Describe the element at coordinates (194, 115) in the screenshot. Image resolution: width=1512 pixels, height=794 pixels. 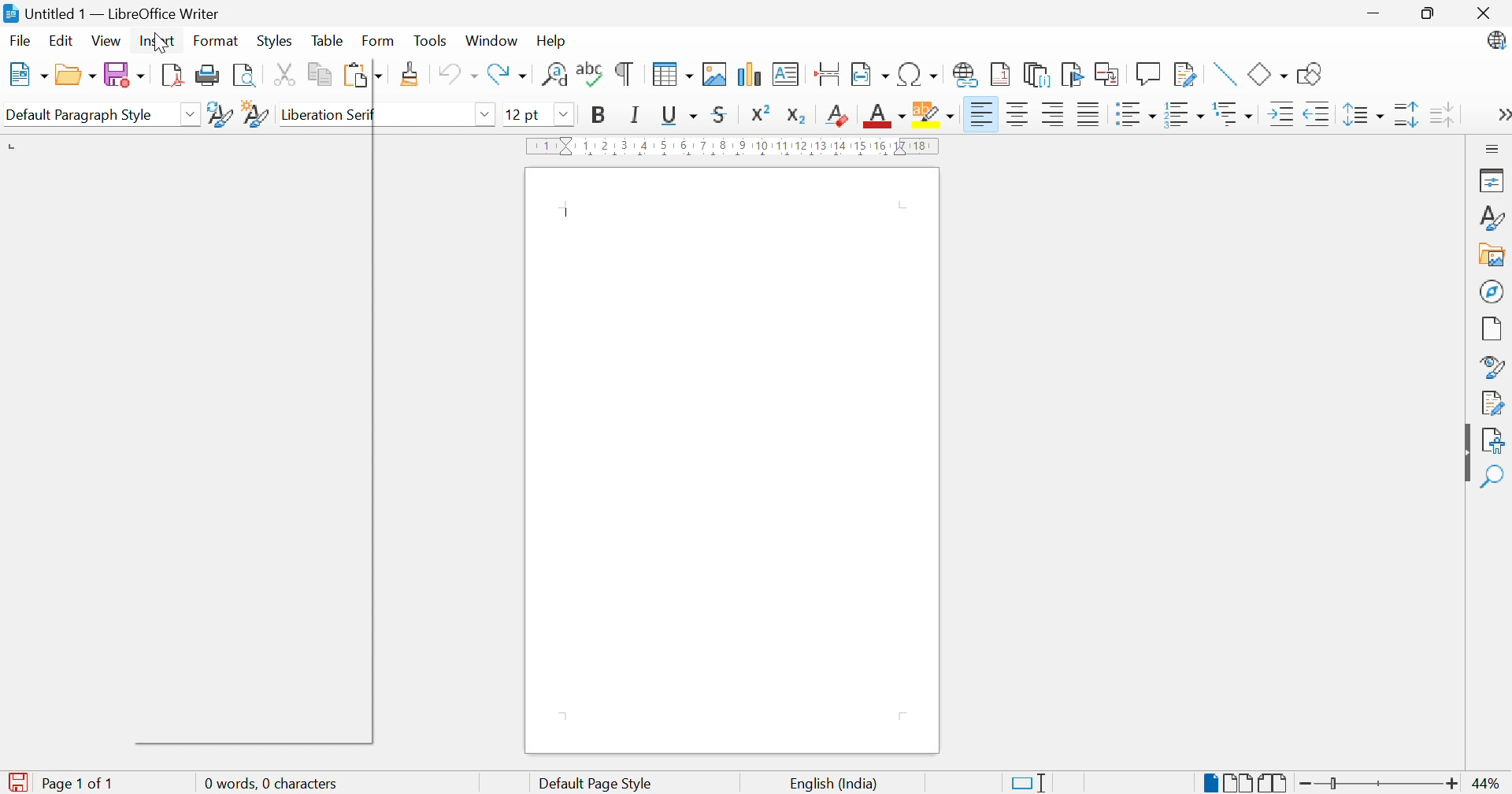
I see `Drop down` at that location.